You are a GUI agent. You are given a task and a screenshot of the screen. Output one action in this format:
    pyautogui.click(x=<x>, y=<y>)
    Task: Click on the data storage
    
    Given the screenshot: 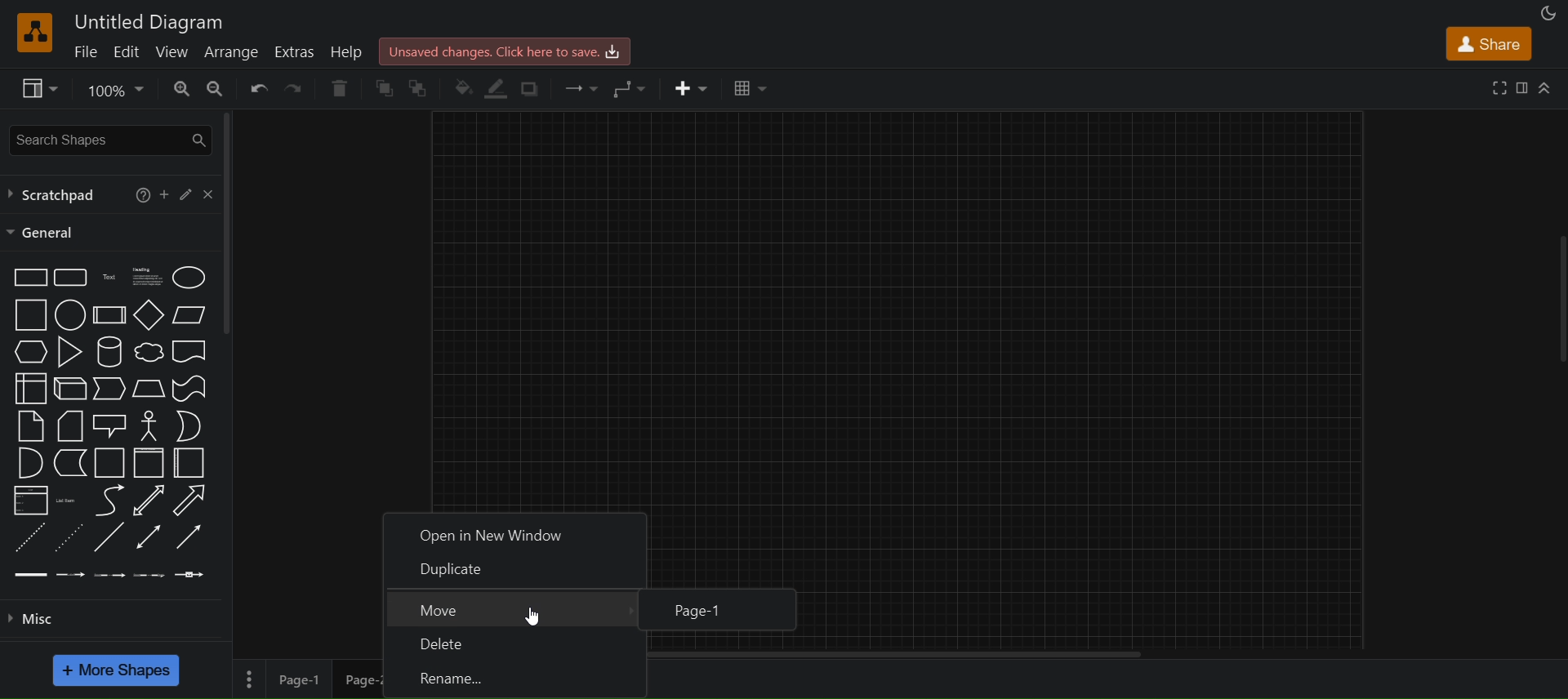 What is the action you would take?
    pyautogui.click(x=69, y=463)
    